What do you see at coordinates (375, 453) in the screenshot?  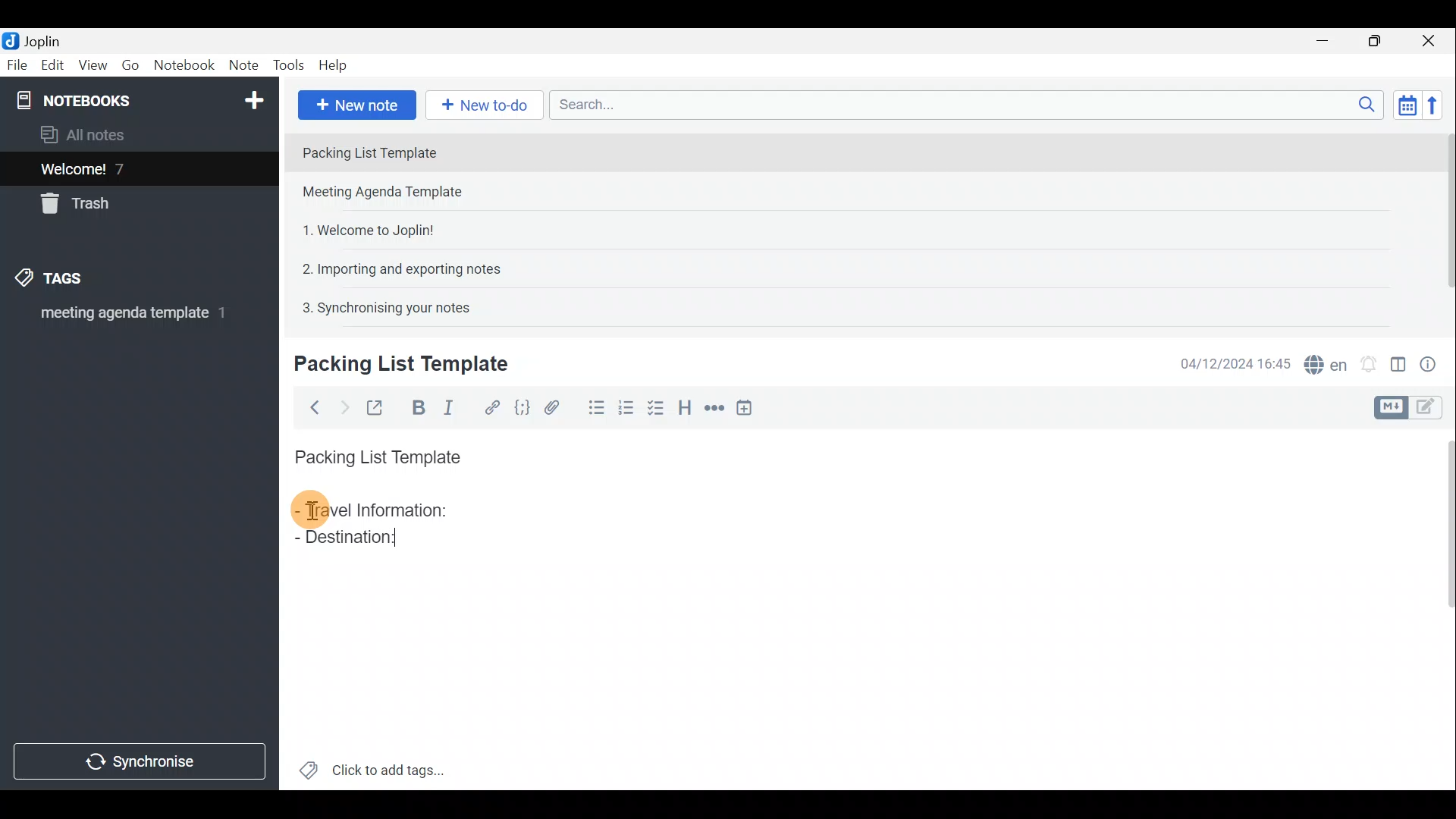 I see `Packing List Template` at bounding box center [375, 453].